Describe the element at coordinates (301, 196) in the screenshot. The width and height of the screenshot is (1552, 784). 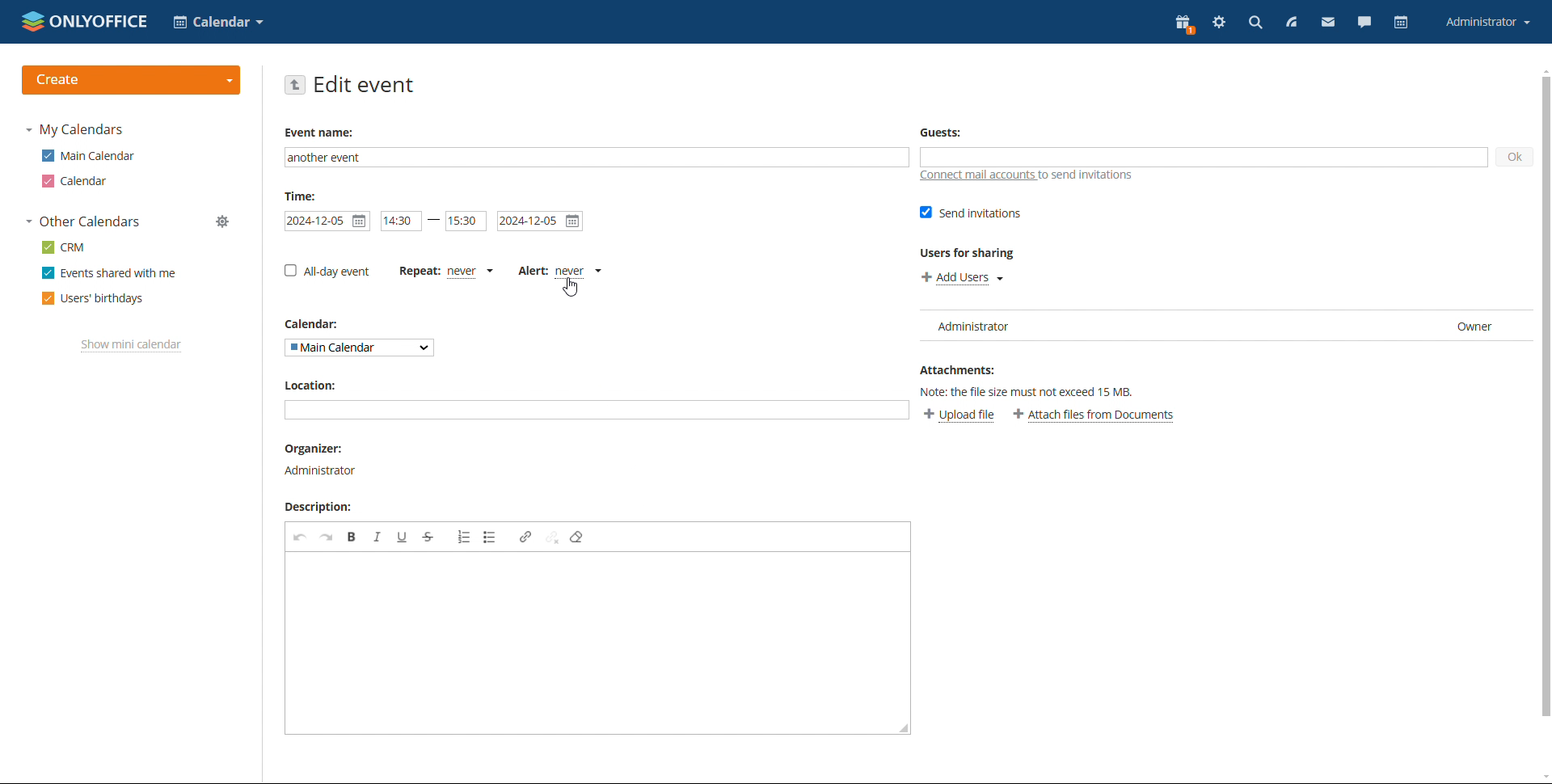
I see `Time:` at that location.